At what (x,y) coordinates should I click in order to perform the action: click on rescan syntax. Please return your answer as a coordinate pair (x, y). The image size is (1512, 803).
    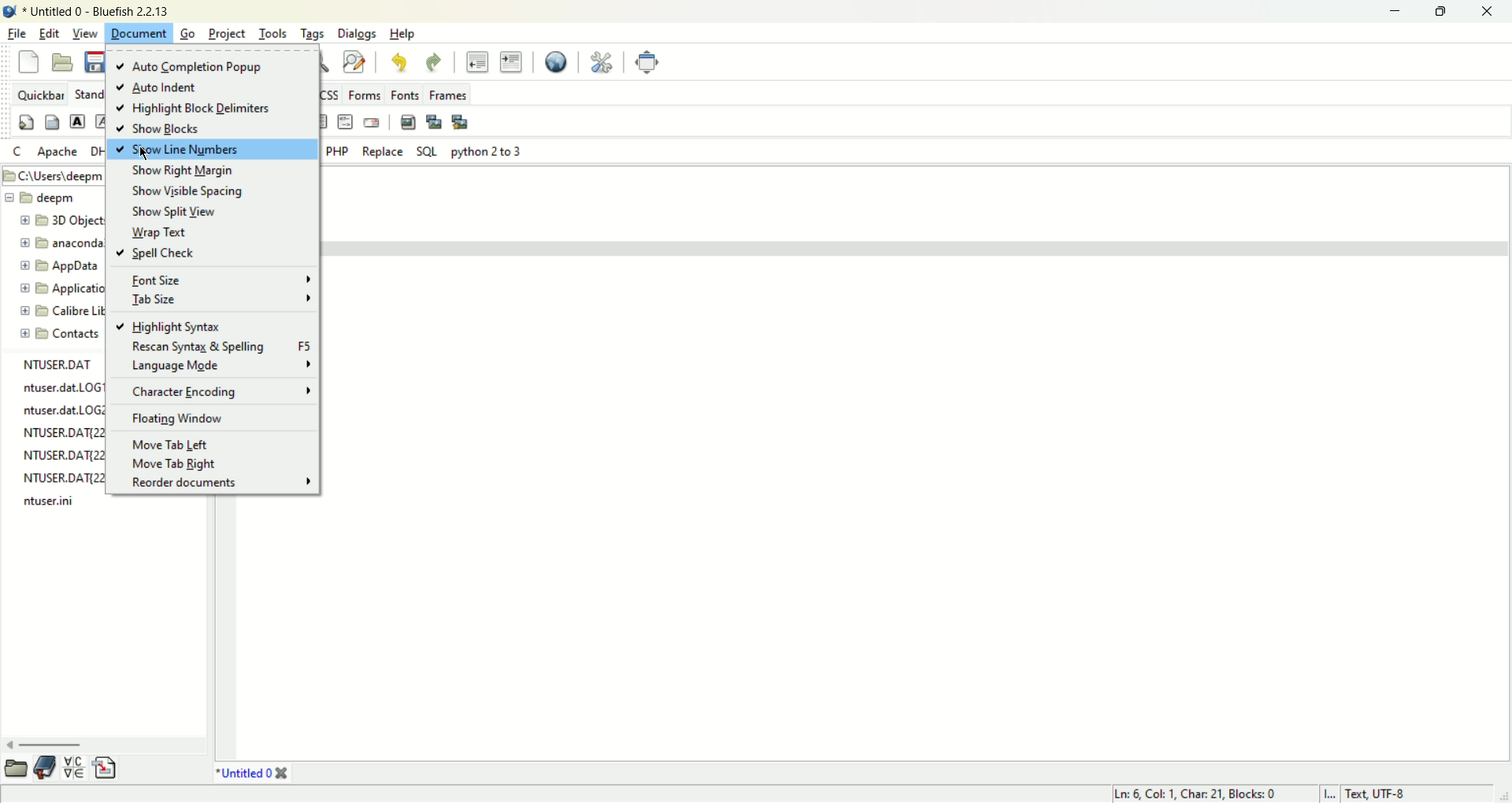
    Looking at the image, I should click on (220, 346).